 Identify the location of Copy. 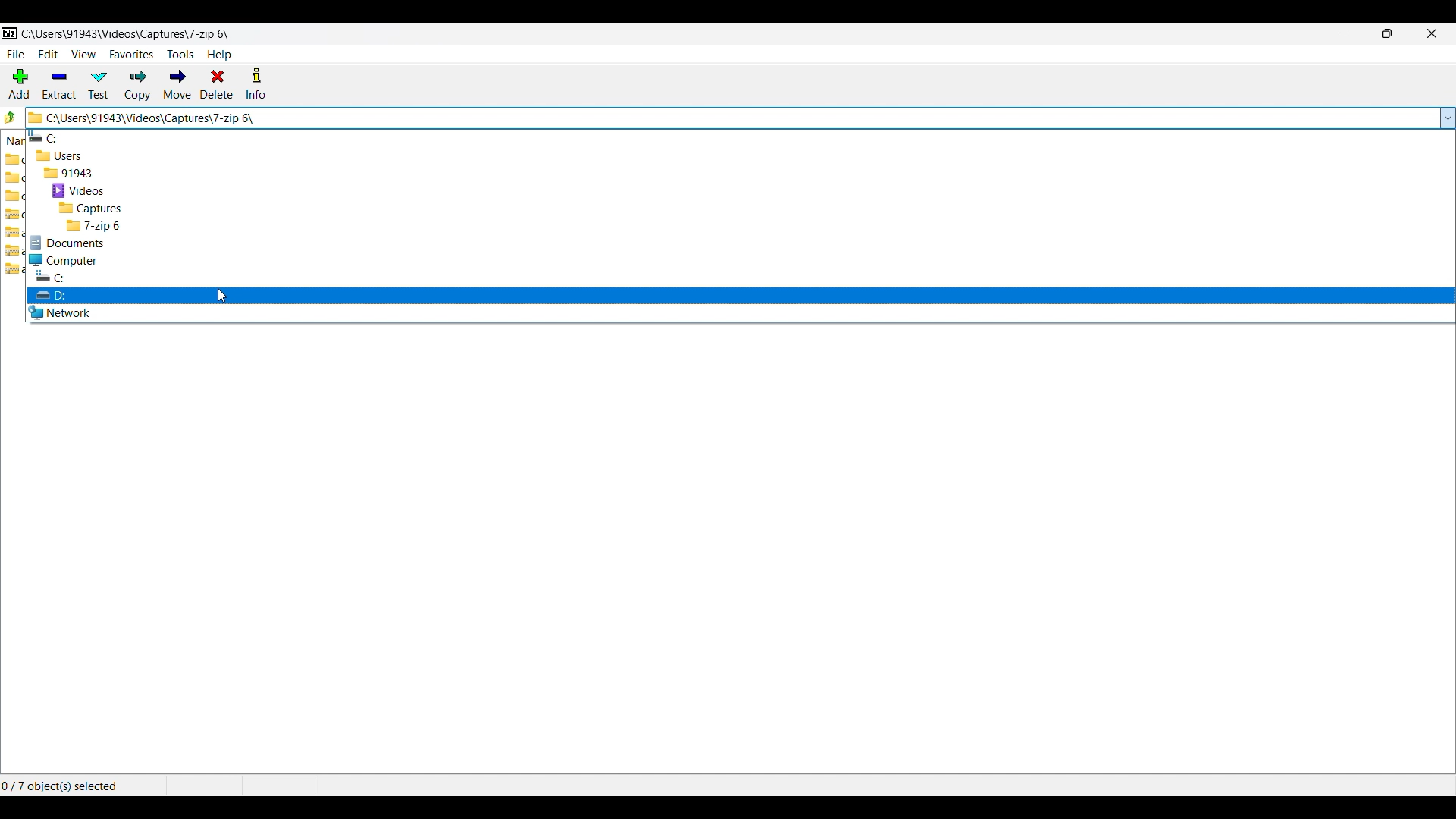
(138, 85).